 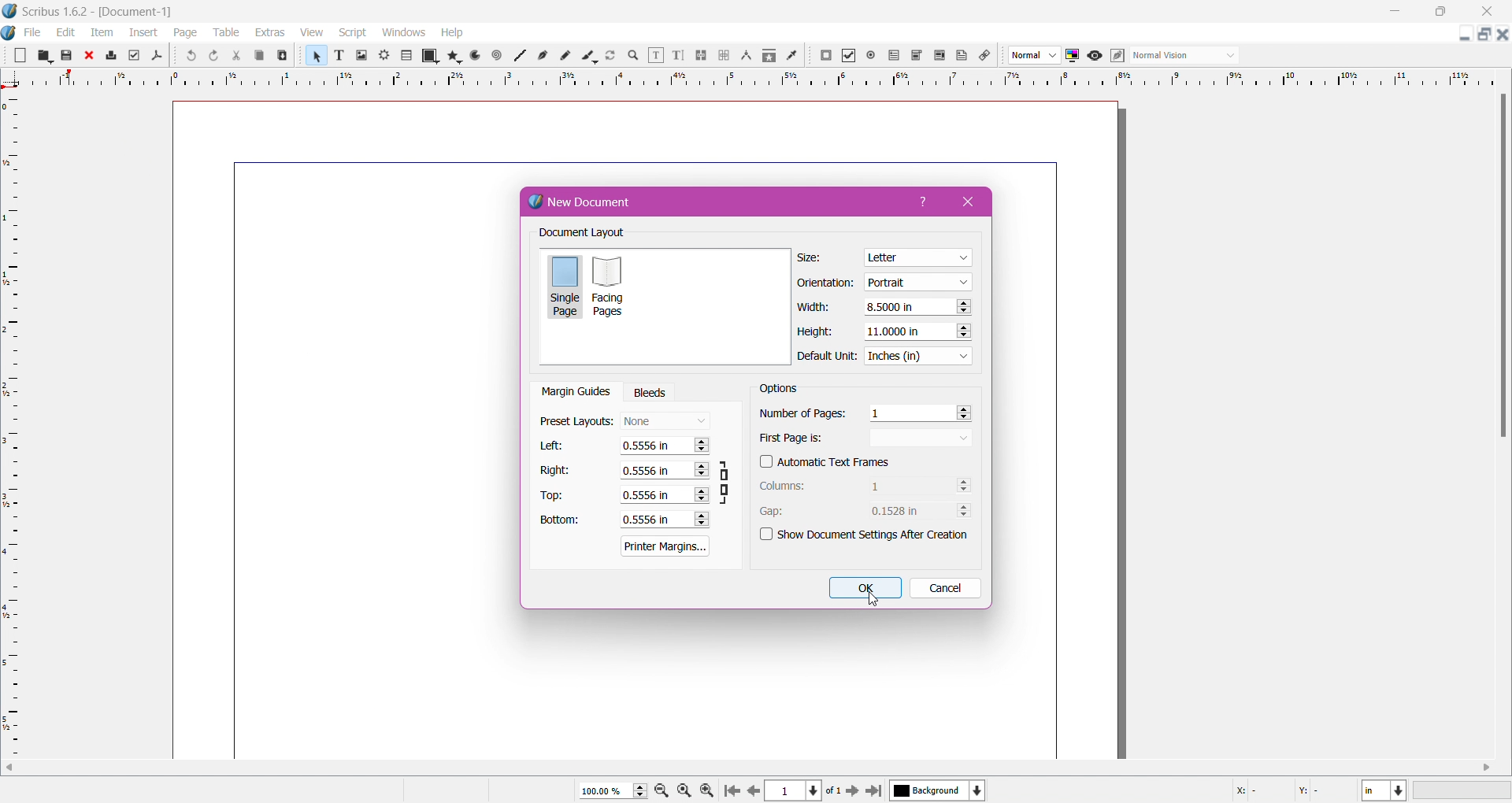 I want to click on facing pages, so click(x=610, y=287).